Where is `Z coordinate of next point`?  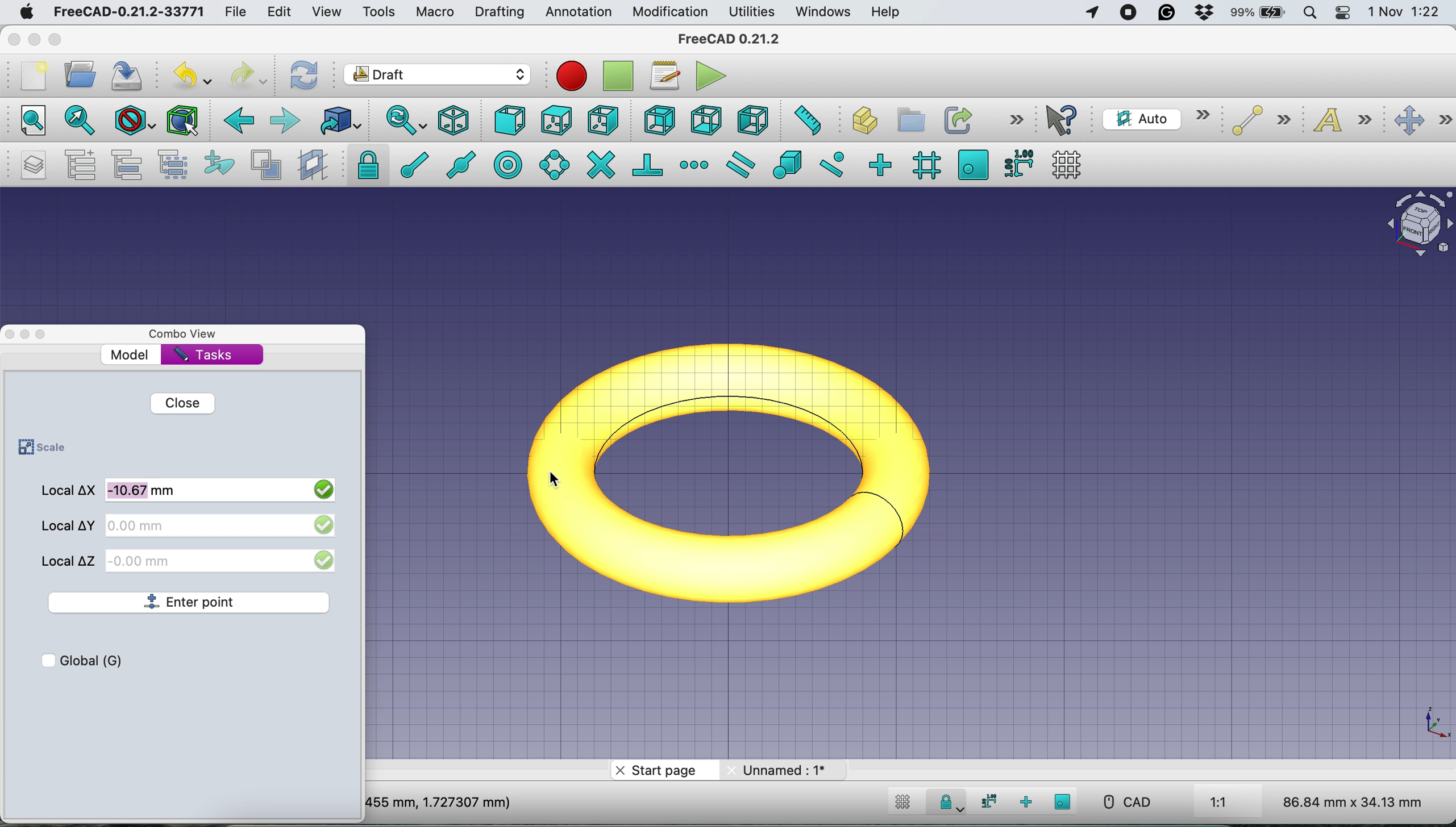 Z coordinate of next point is located at coordinates (223, 559).